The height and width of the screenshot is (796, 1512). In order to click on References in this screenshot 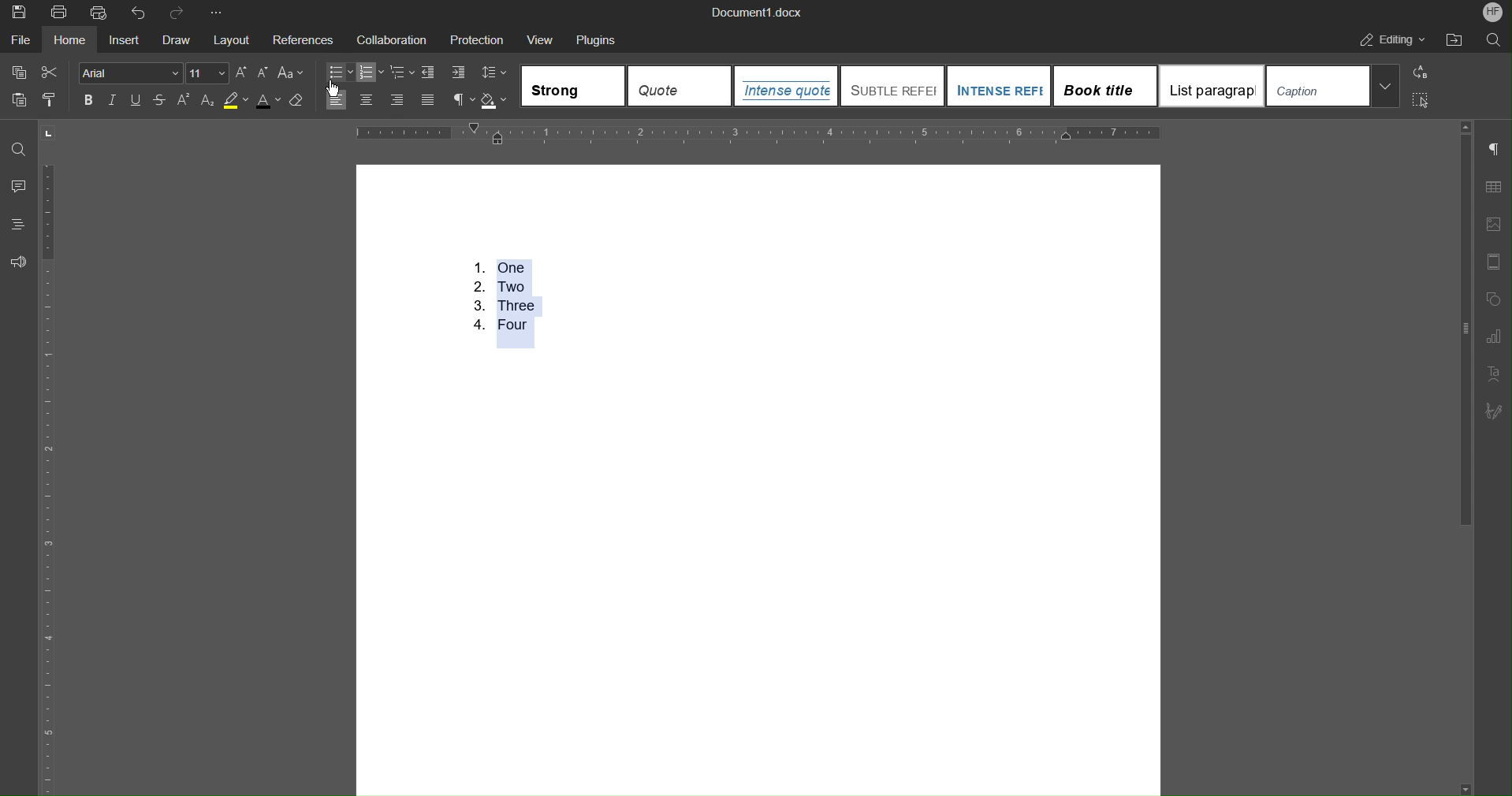, I will do `click(302, 37)`.